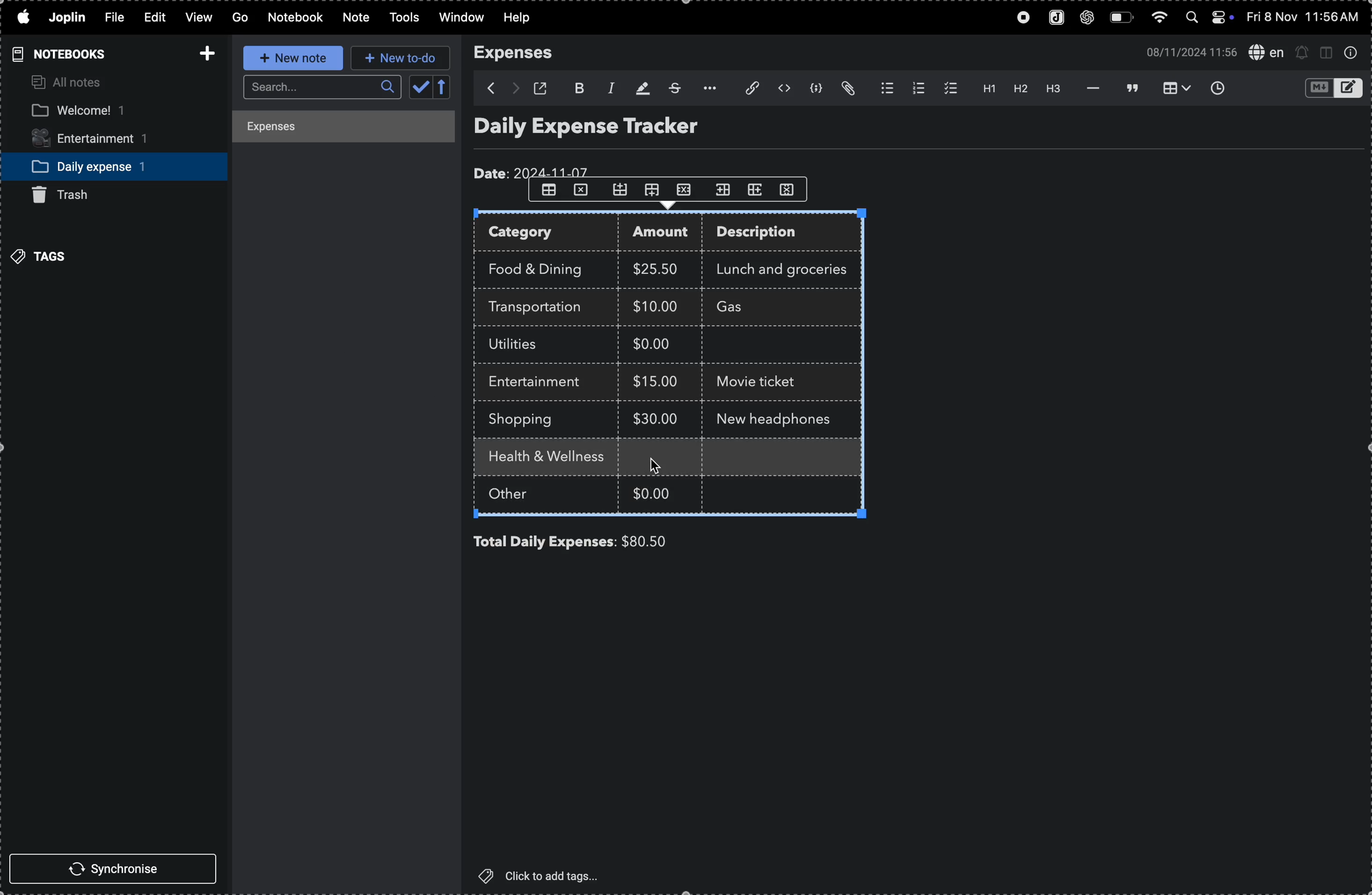 The image size is (1372, 895). What do you see at coordinates (1265, 51) in the screenshot?
I see `spell check` at bounding box center [1265, 51].